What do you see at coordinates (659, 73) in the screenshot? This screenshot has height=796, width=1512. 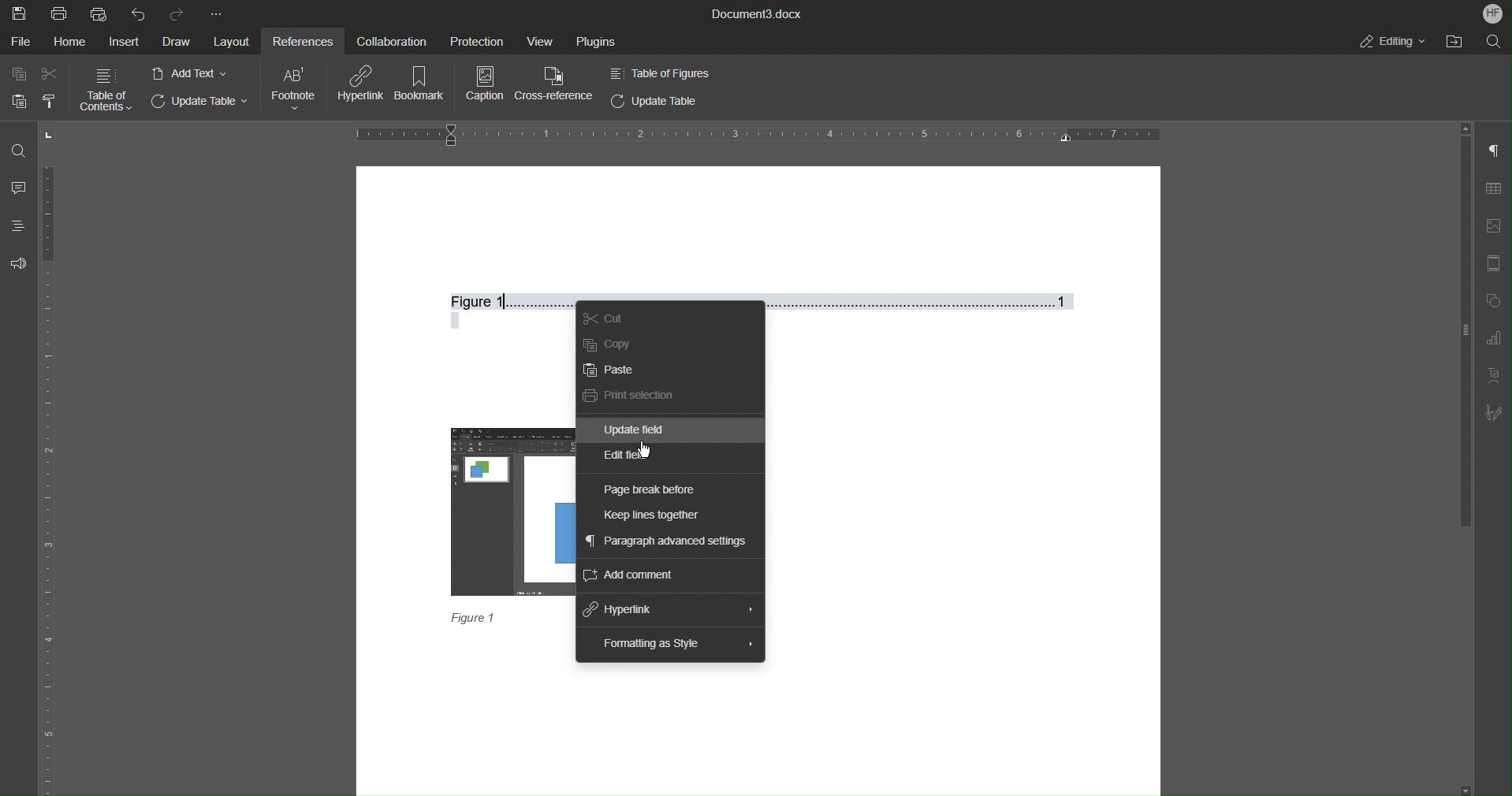 I see `Table of Figures` at bounding box center [659, 73].